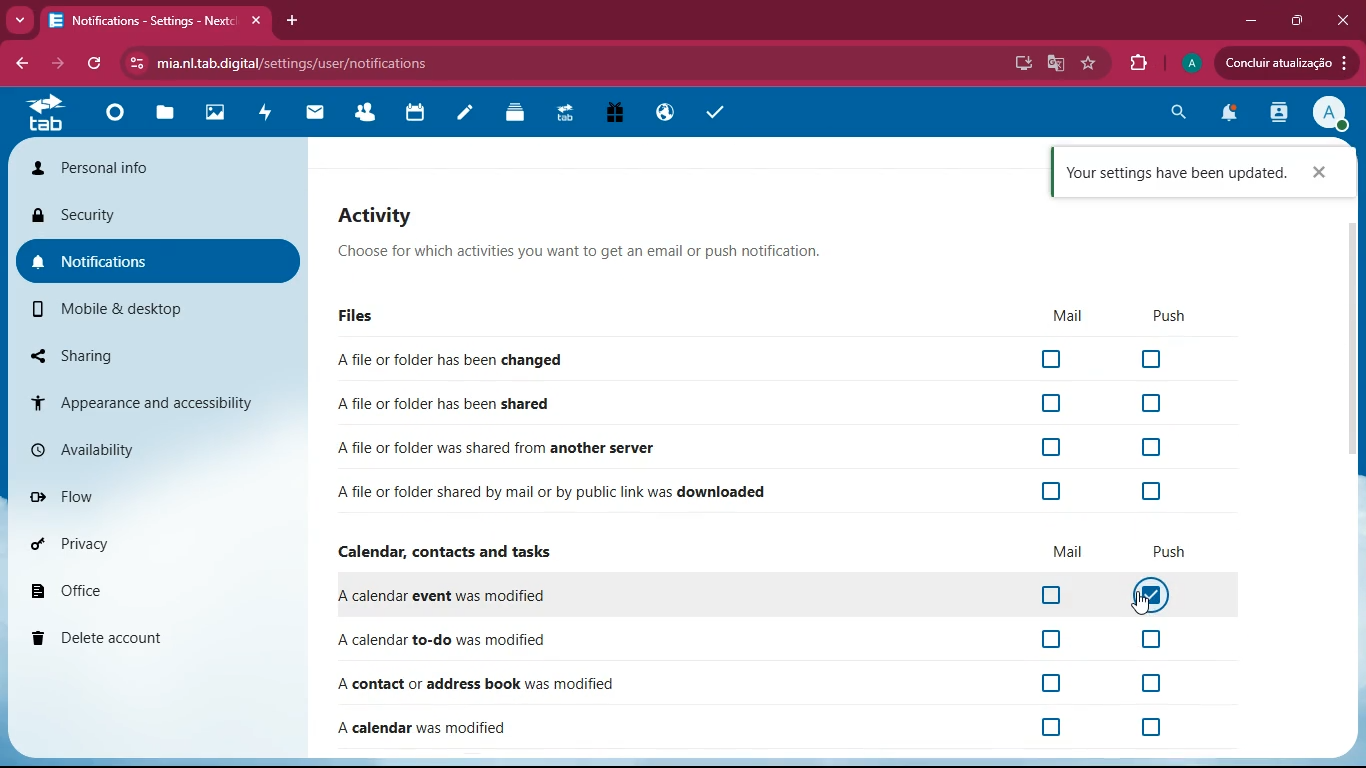  I want to click on Calendar, so click(418, 112).